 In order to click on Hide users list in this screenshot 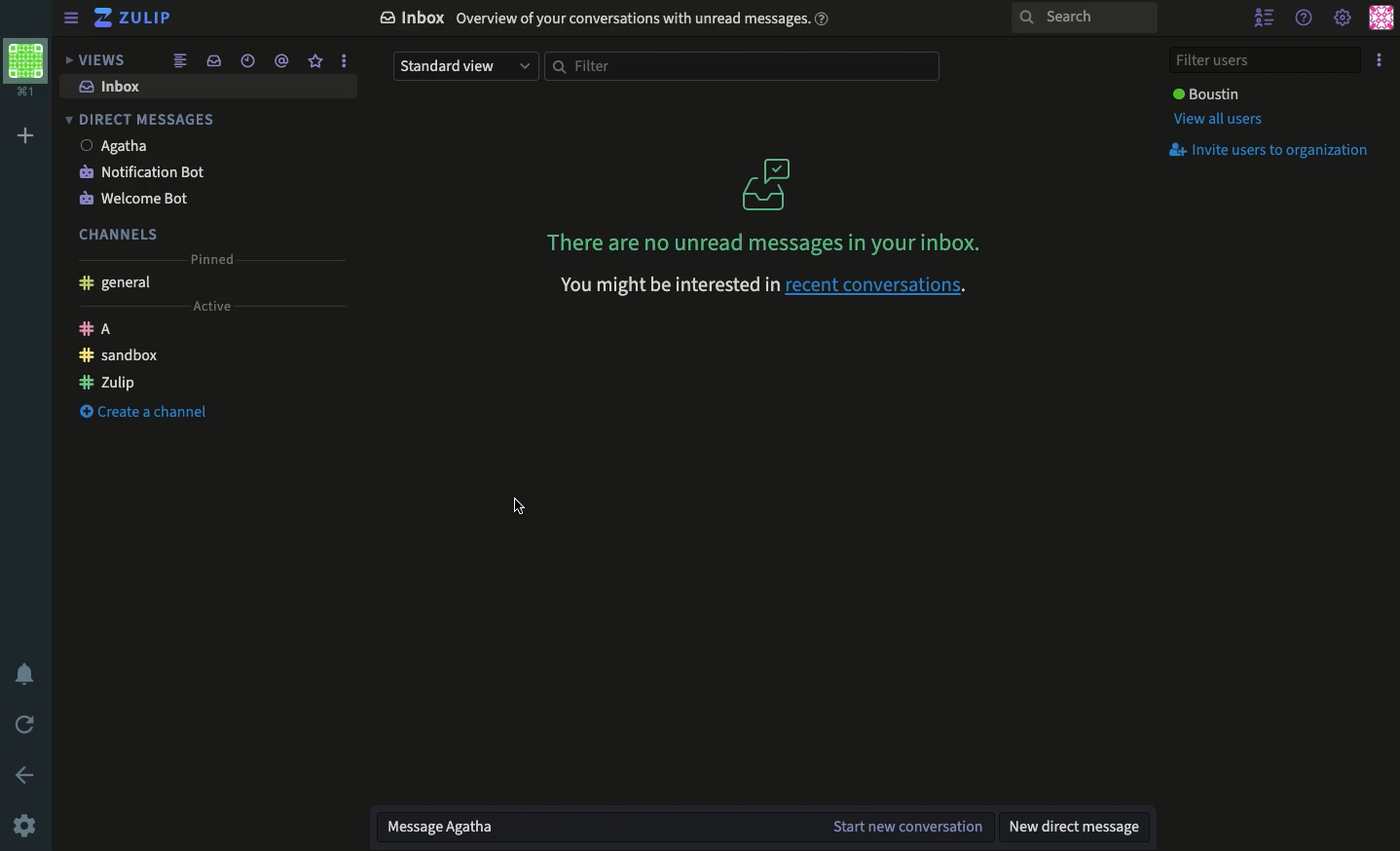, I will do `click(1266, 18)`.